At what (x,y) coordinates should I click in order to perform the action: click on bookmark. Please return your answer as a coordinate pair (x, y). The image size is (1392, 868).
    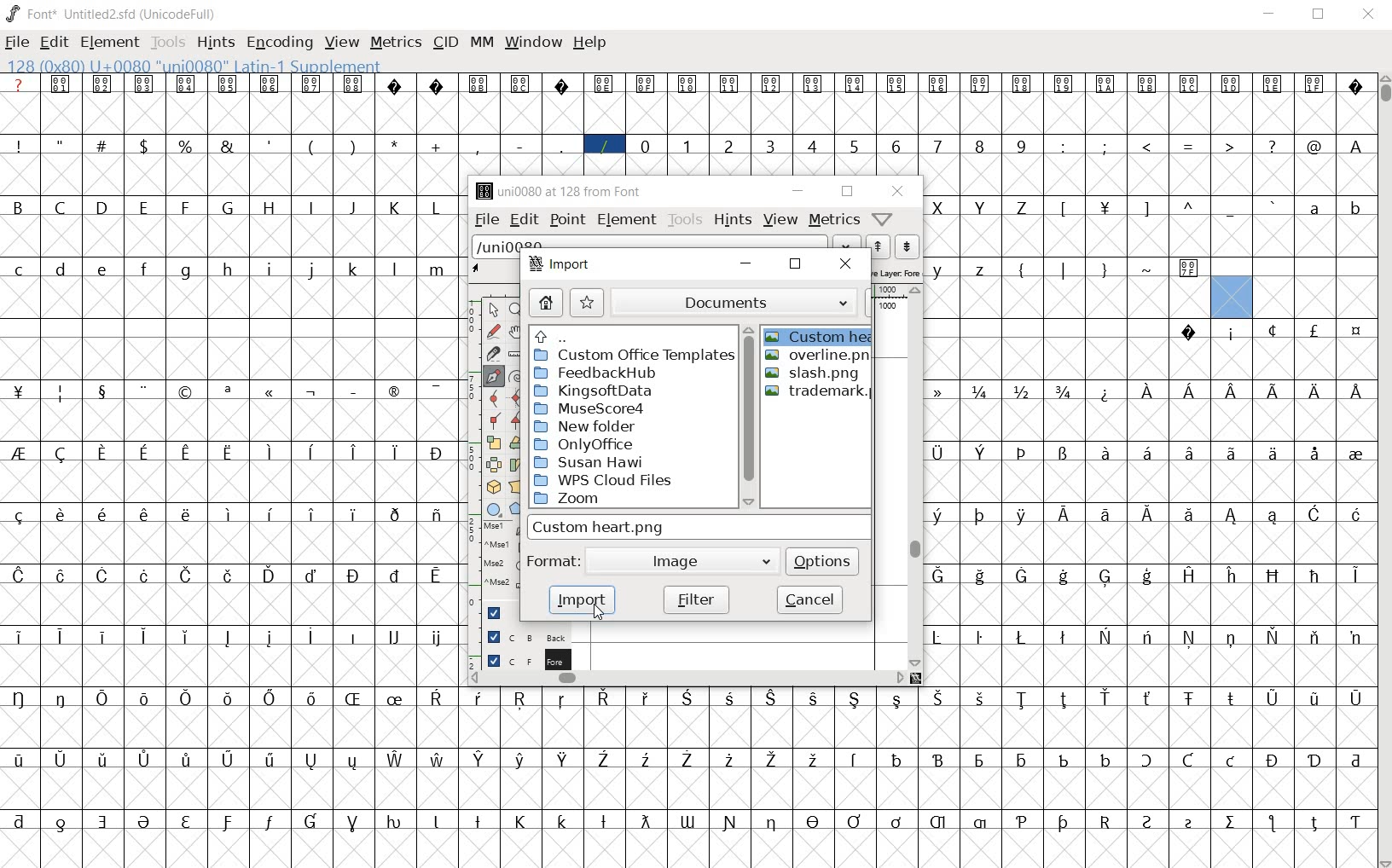
    Looking at the image, I should click on (588, 301).